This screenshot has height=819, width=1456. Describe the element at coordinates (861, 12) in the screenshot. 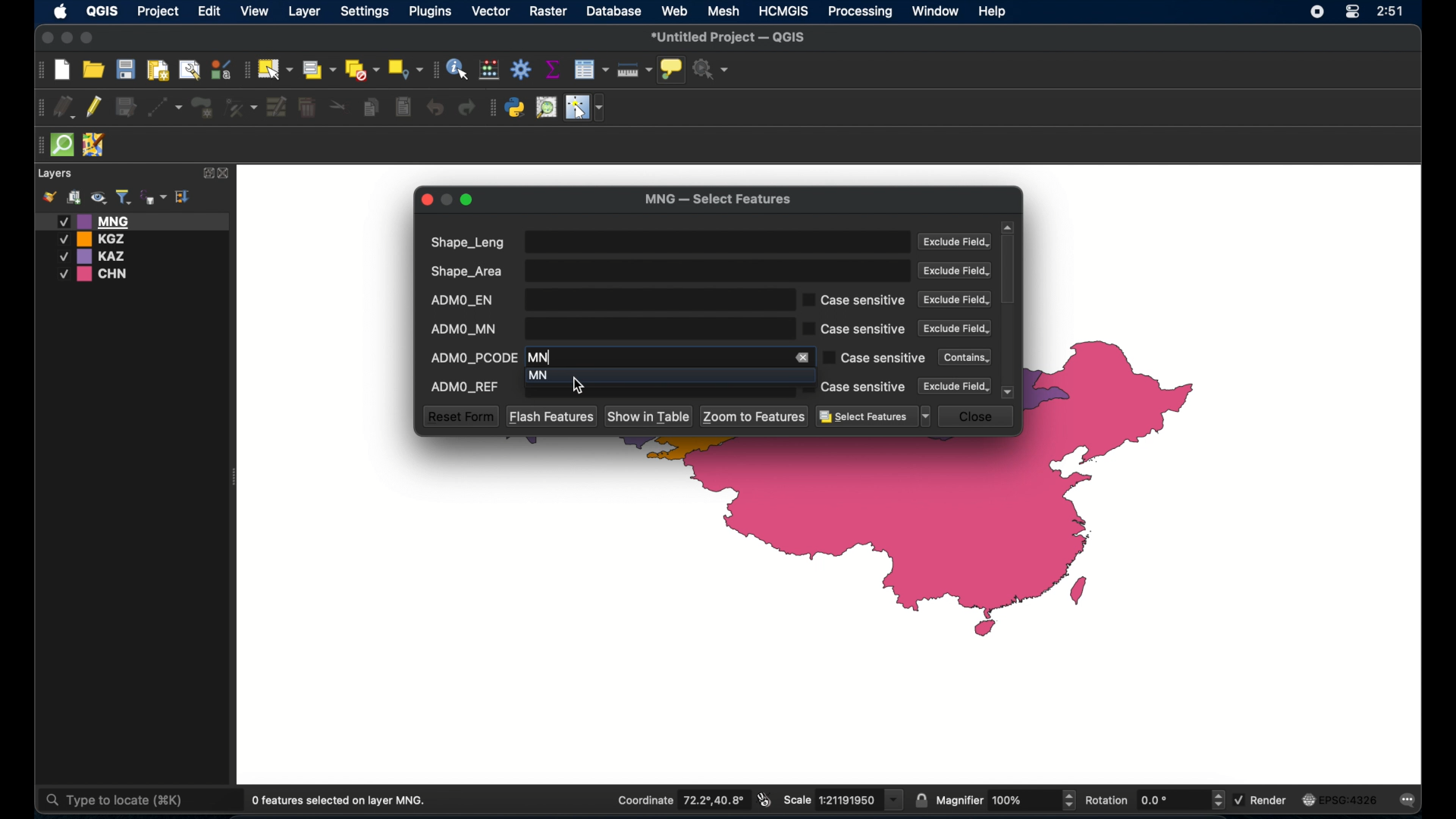

I see `processing` at that location.